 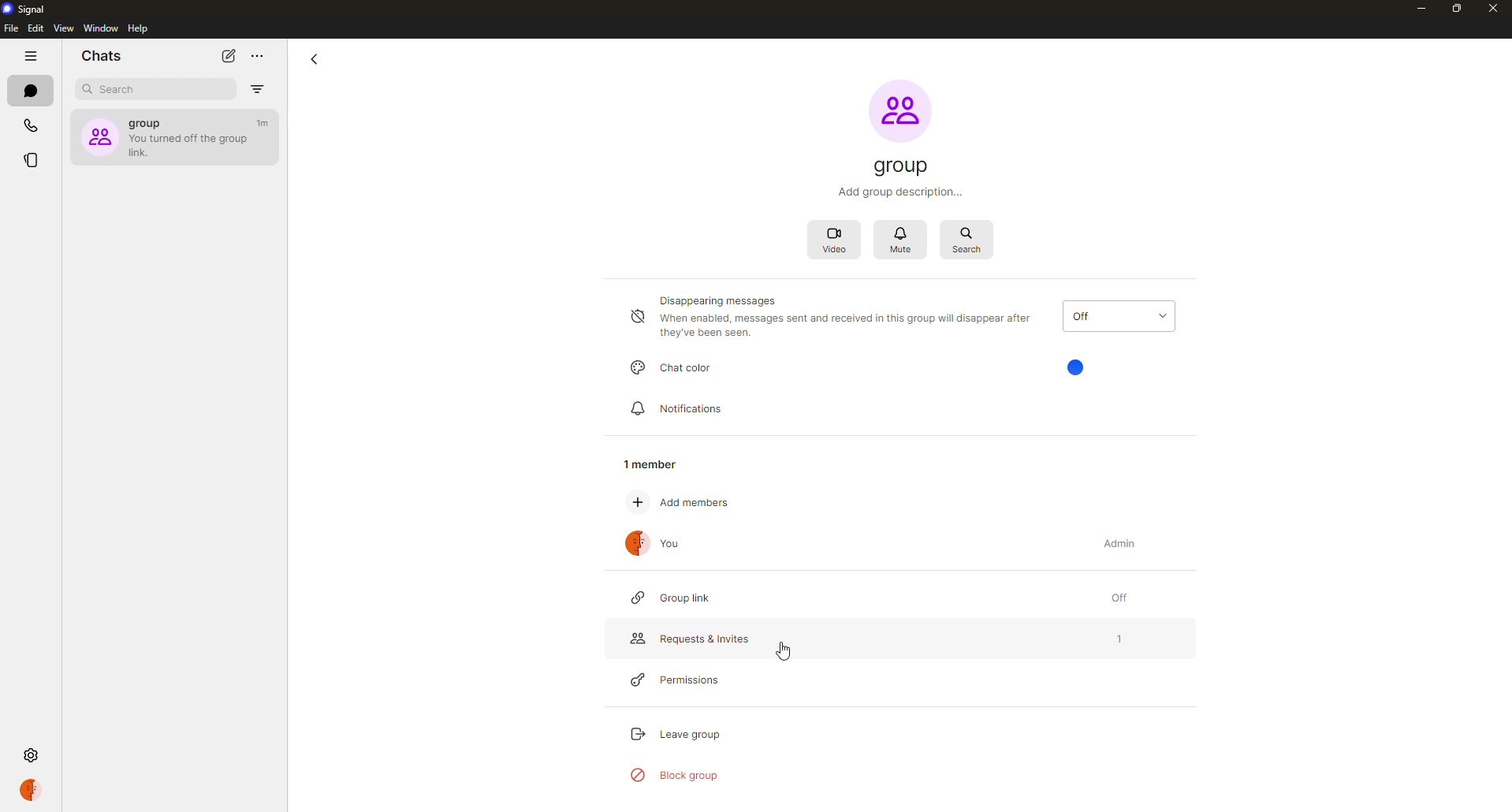 What do you see at coordinates (832, 318) in the screenshot?
I see `disappearing messages` at bounding box center [832, 318].